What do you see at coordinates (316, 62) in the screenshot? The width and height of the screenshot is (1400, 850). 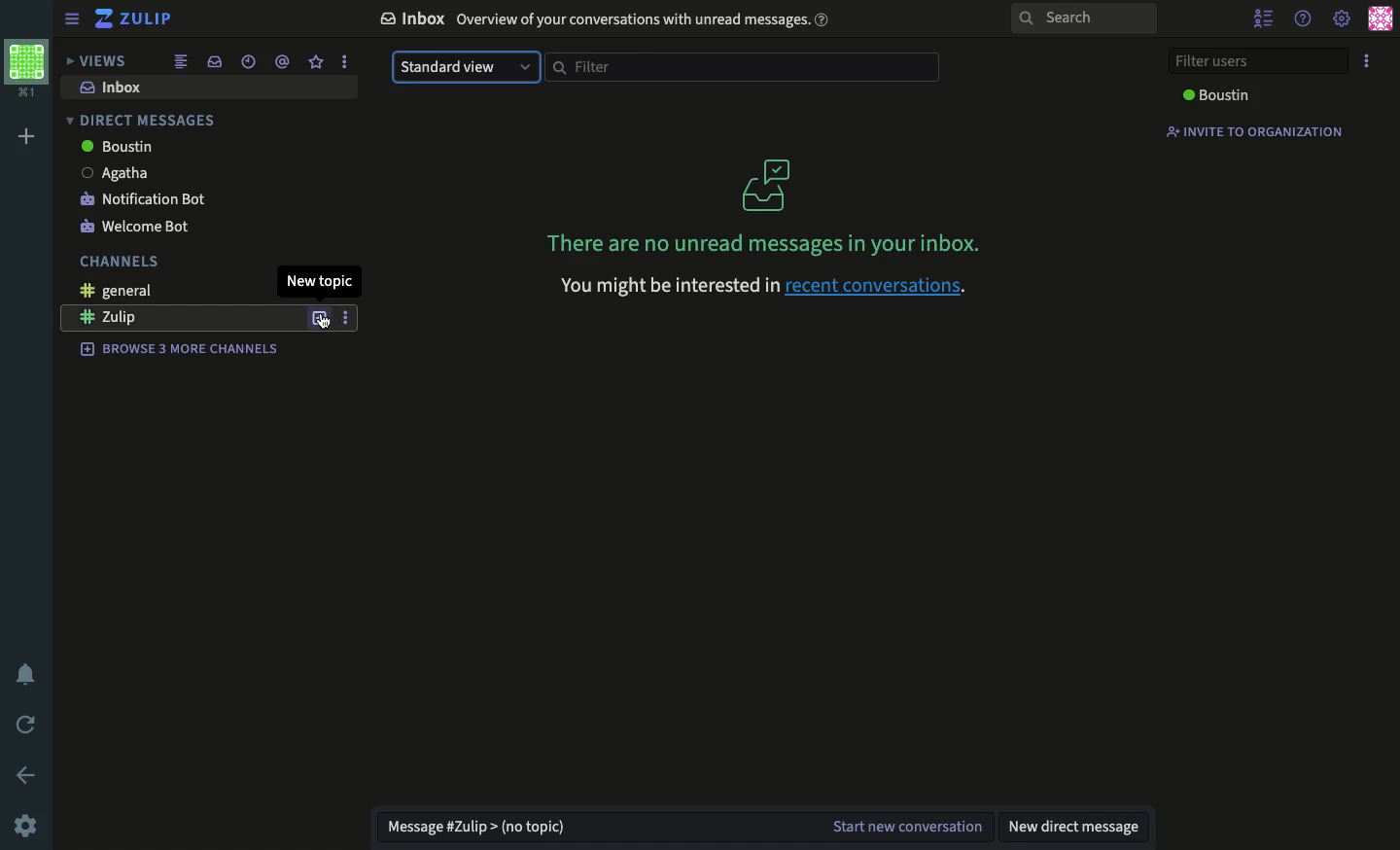 I see `favorite` at bounding box center [316, 62].